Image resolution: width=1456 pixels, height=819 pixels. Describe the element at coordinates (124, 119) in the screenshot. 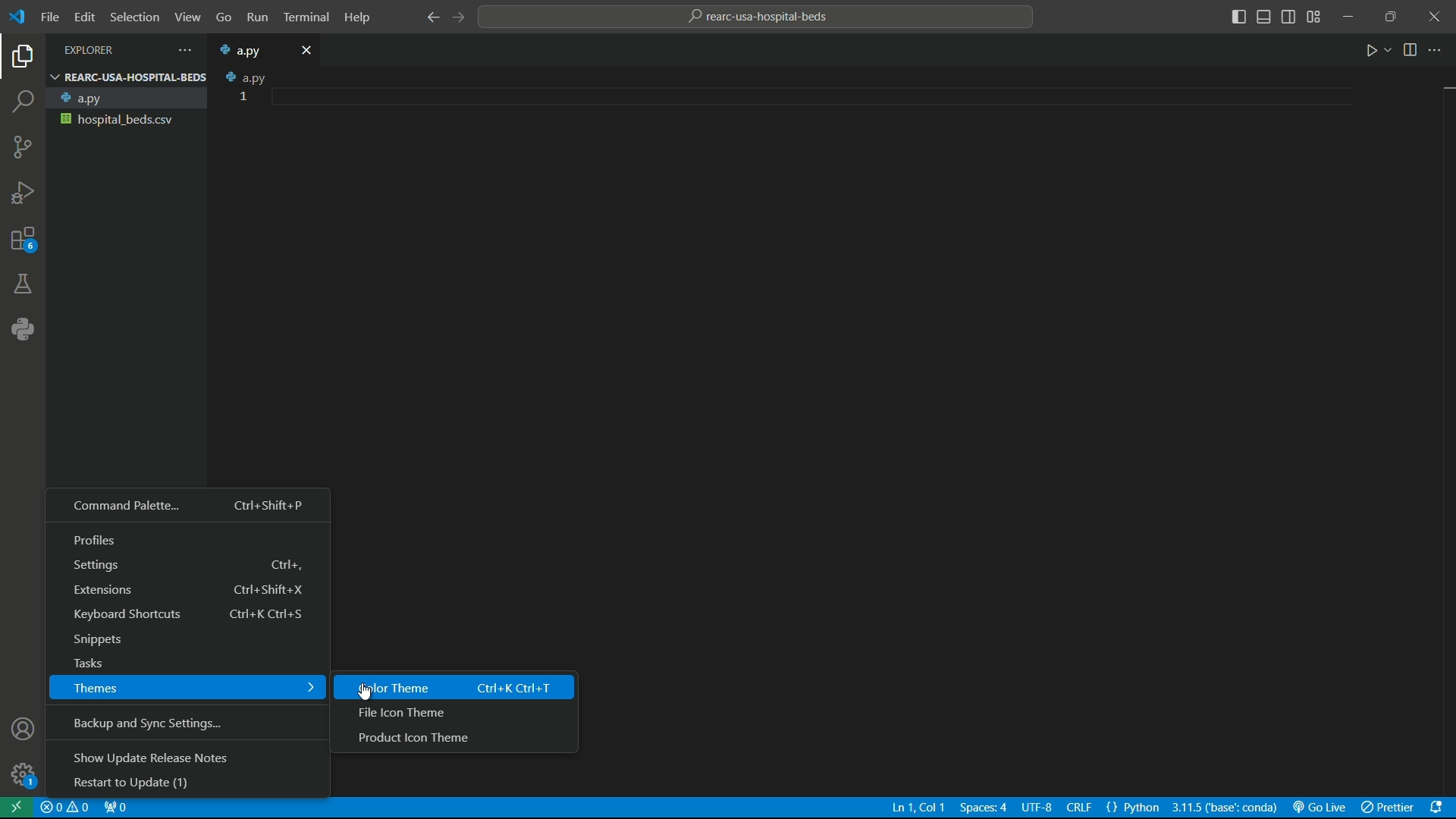

I see `hospital_beds.csv ` at that location.